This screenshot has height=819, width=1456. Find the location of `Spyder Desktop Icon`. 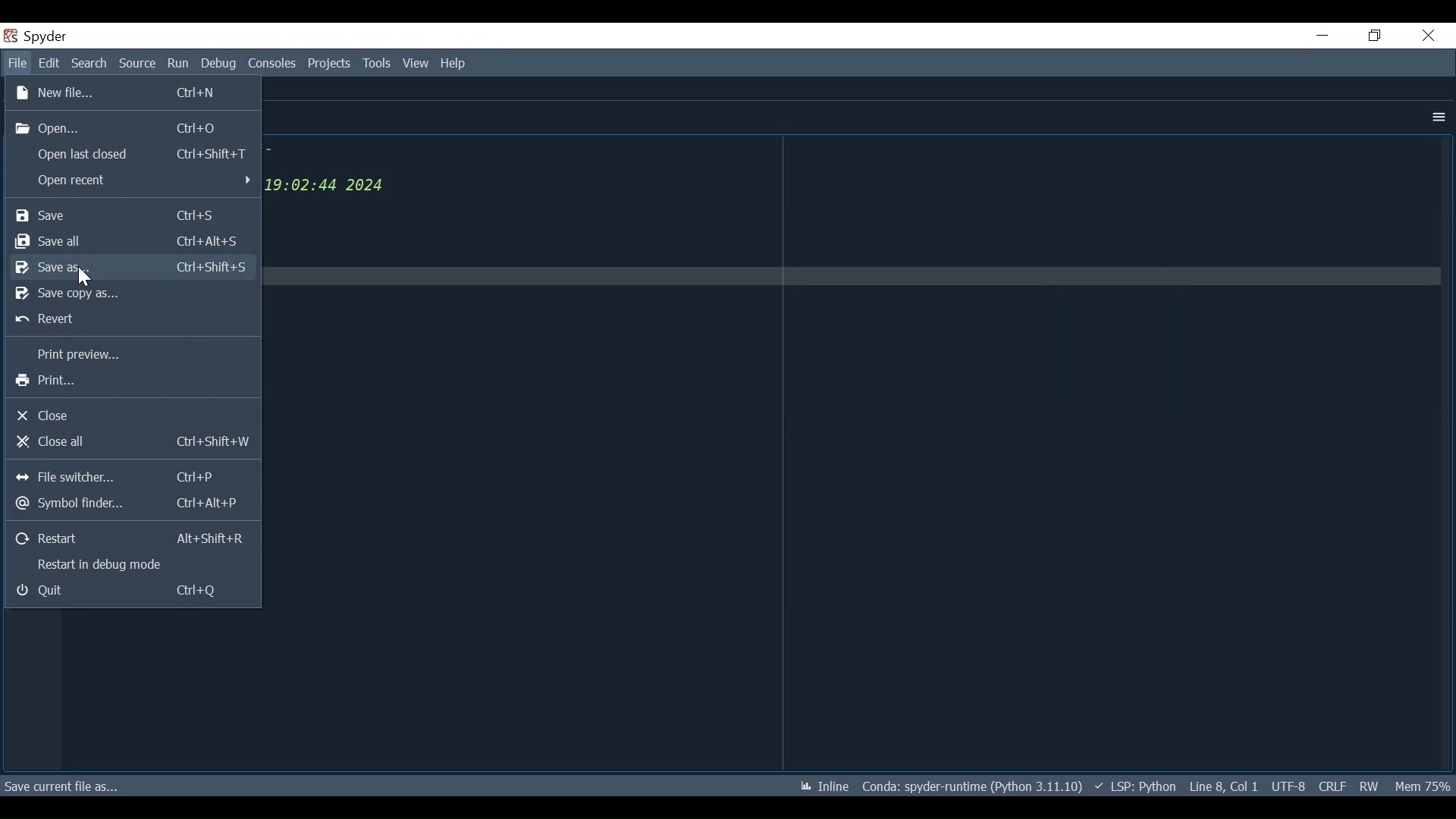

Spyder Desktop Icon is located at coordinates (9, 36).